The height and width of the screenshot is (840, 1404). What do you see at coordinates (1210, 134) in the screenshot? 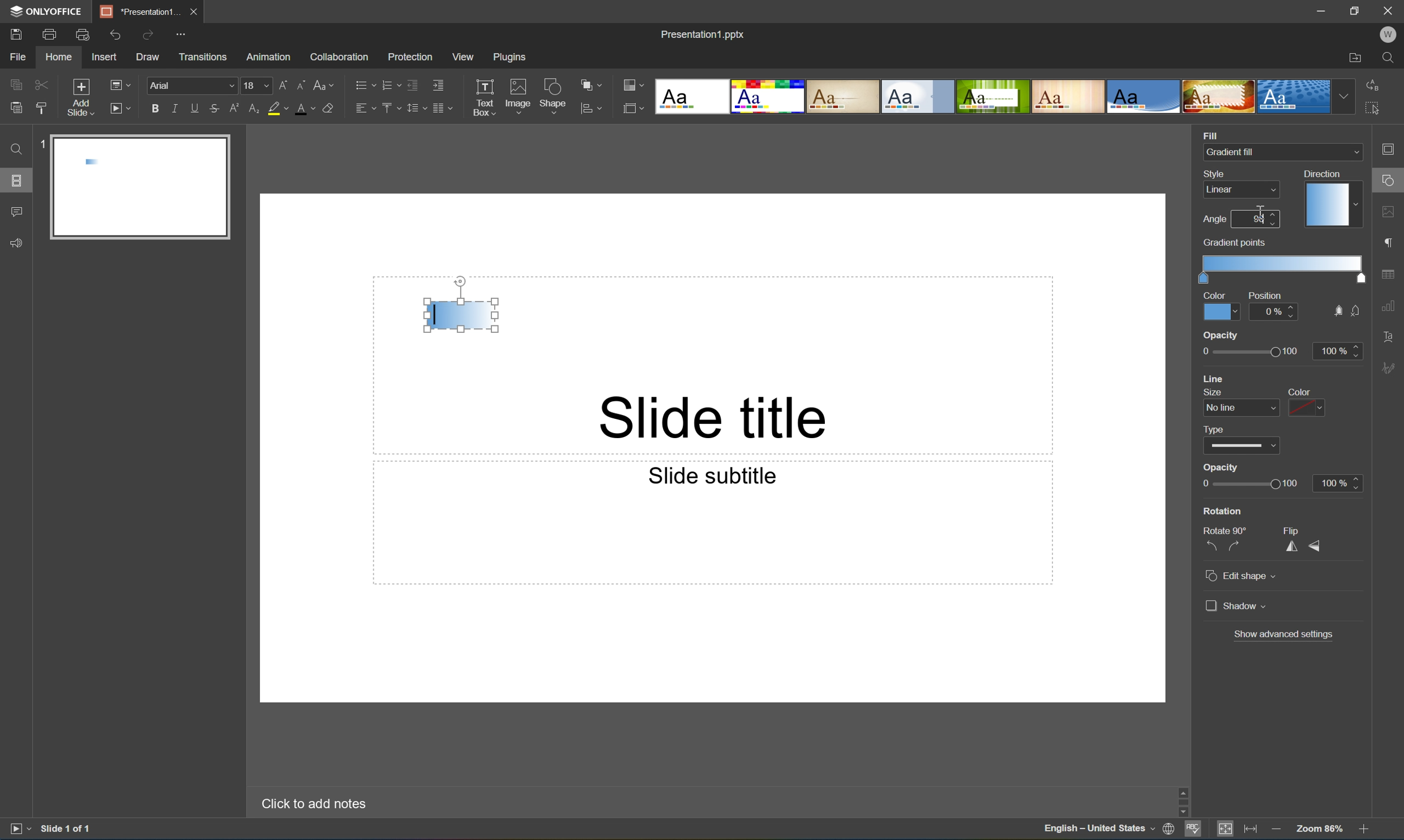
I see `Fill` at bounding box center [1210, 134].